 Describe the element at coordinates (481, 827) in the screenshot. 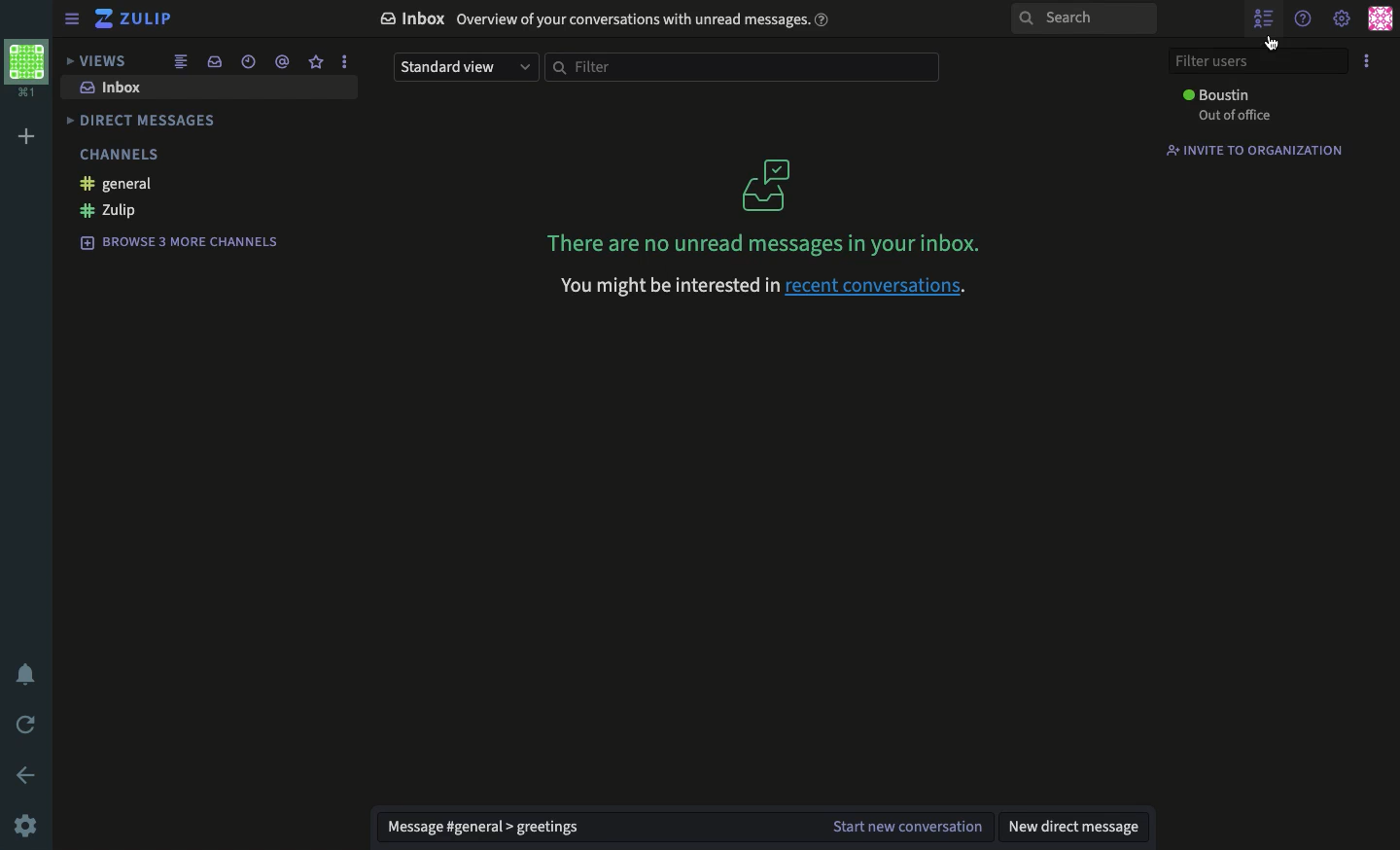

I see `message general greetings` at that location.